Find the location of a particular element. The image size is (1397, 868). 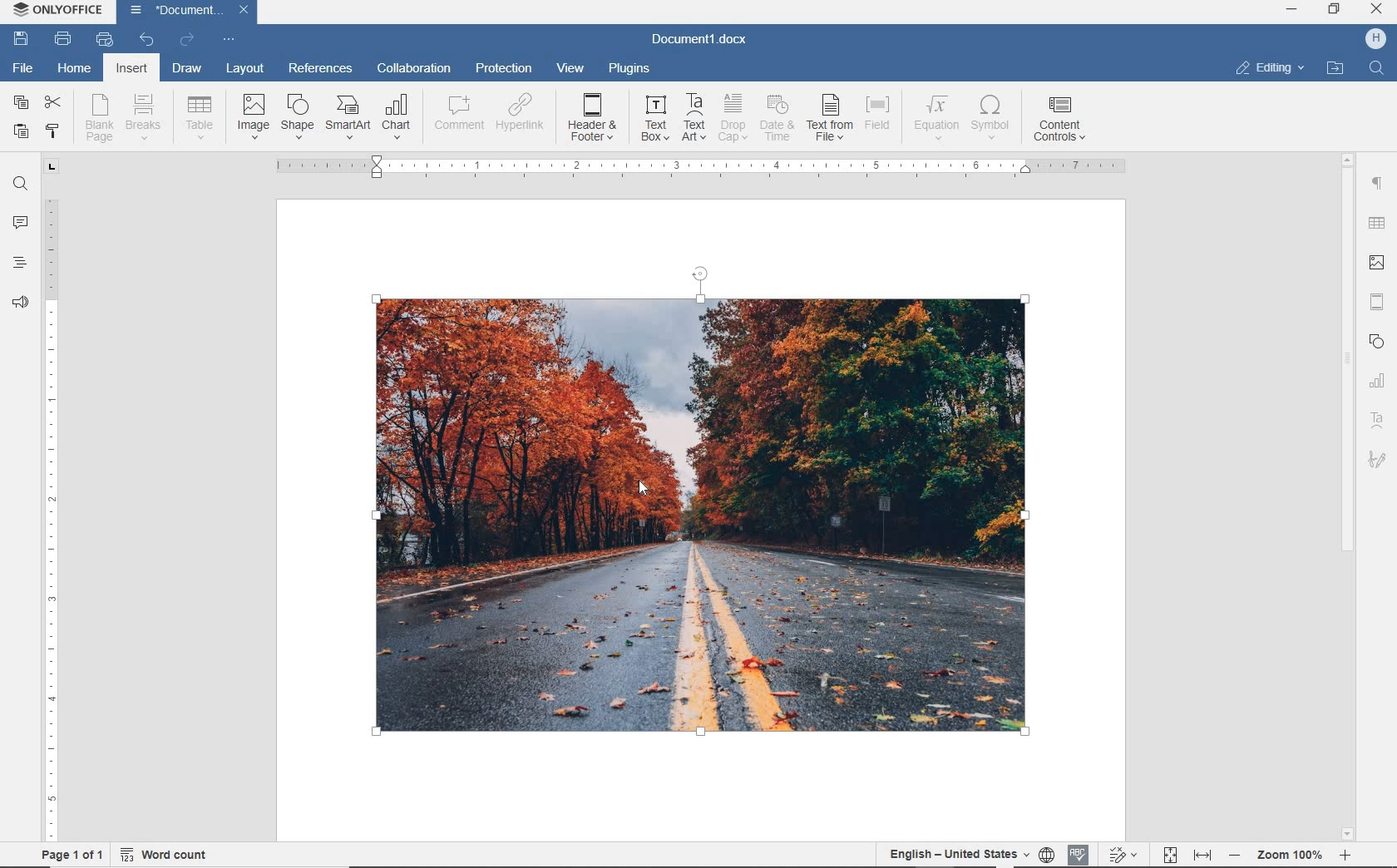

ONLYOFFICE (Application name) is located at coordinates (53, 11).